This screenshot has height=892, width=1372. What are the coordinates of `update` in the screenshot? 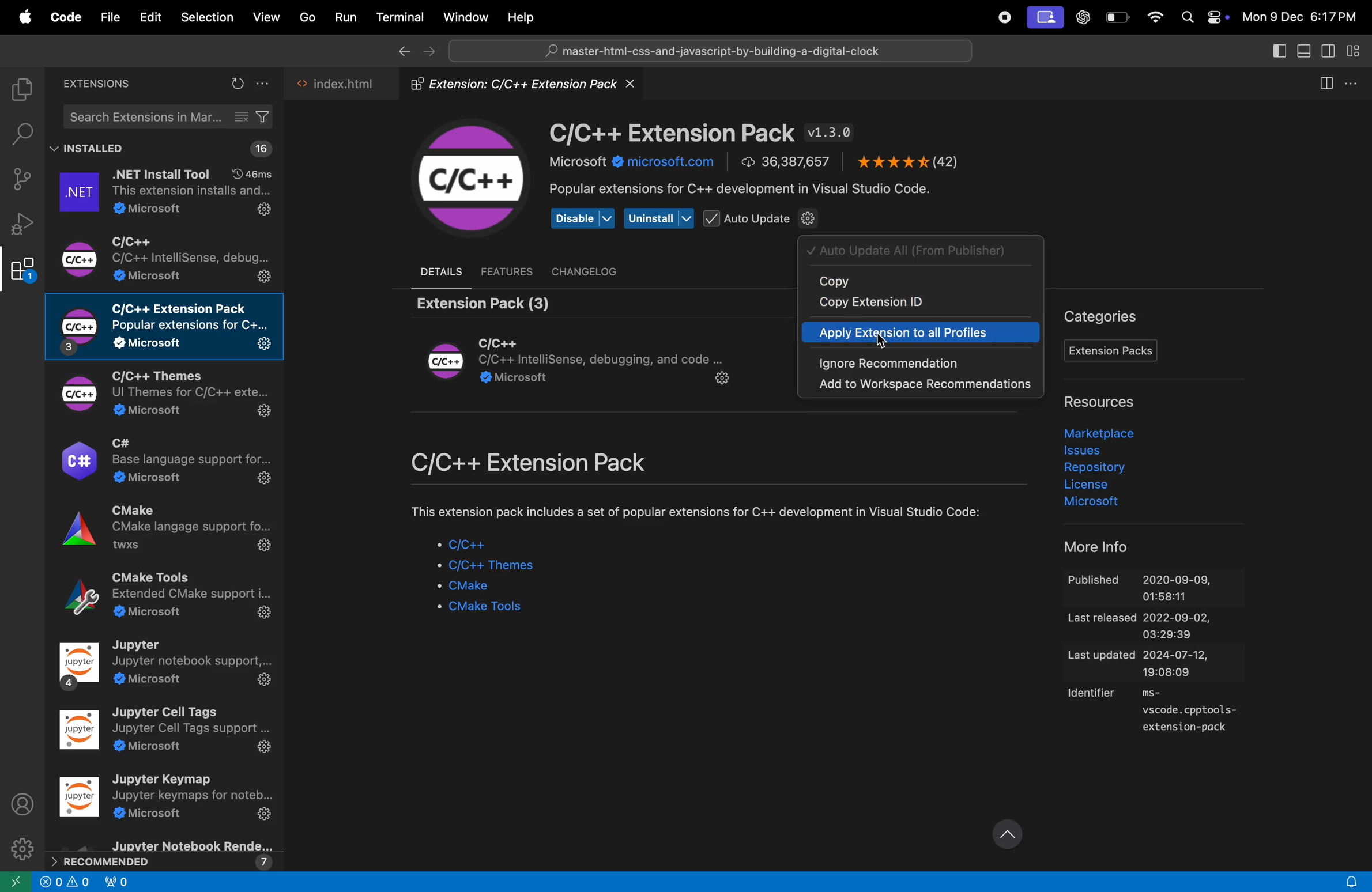 It's located at (1005, 831).